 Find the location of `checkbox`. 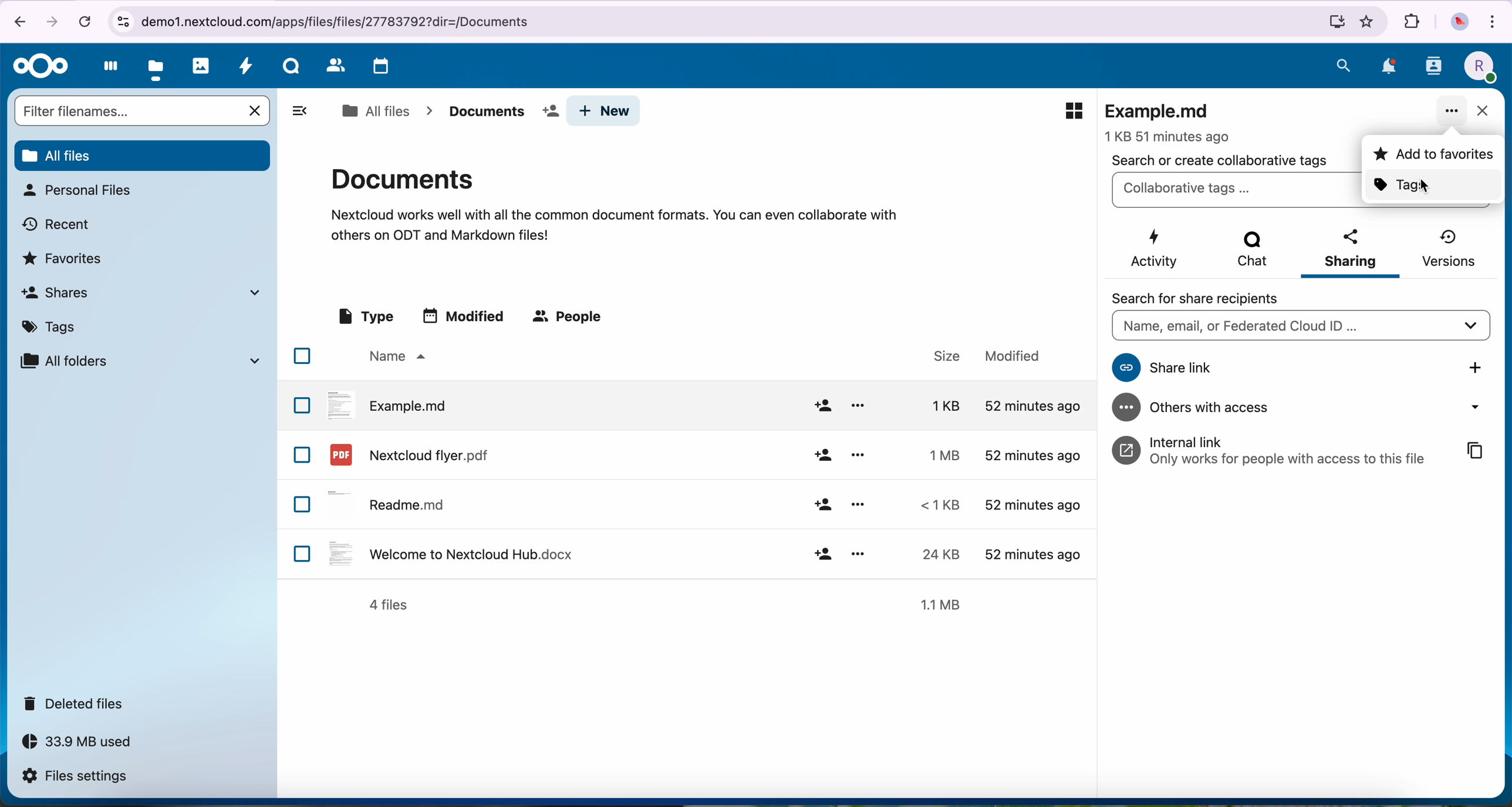

checkbox is located at coordinates (302, 455).